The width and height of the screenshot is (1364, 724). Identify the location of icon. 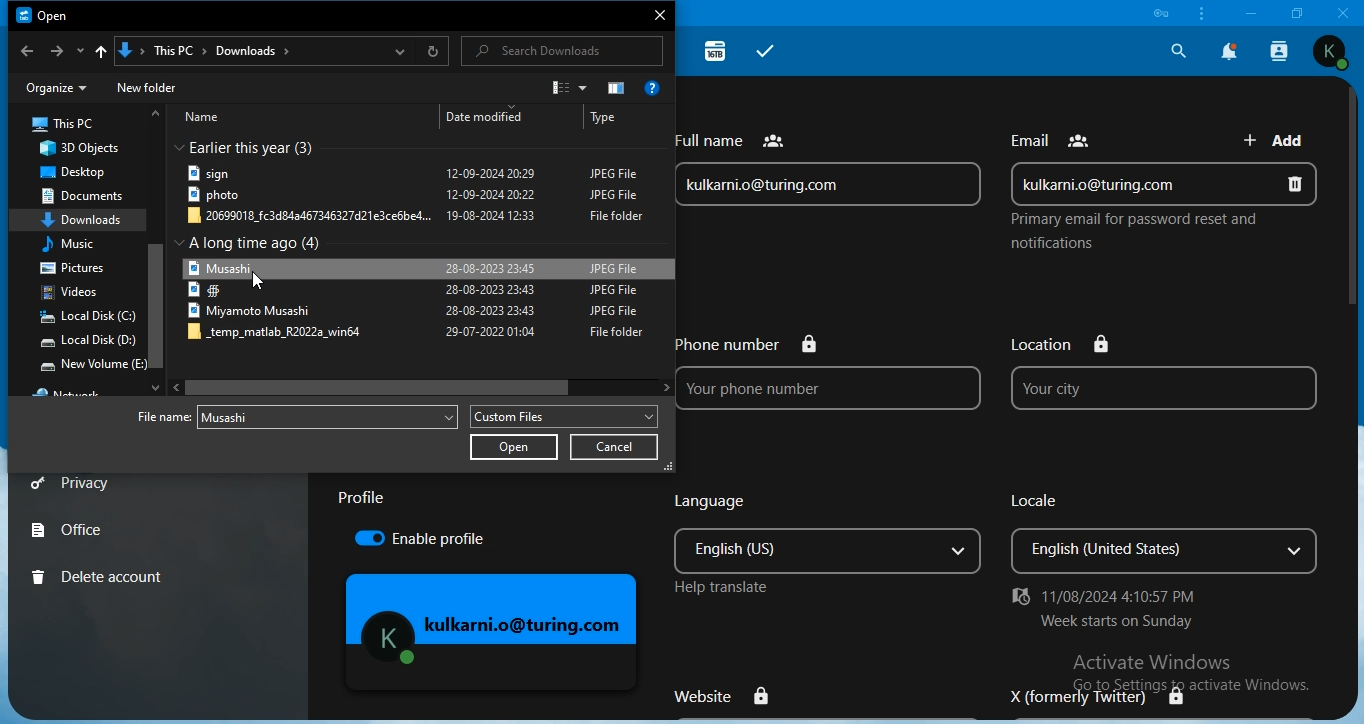
(567, 88).